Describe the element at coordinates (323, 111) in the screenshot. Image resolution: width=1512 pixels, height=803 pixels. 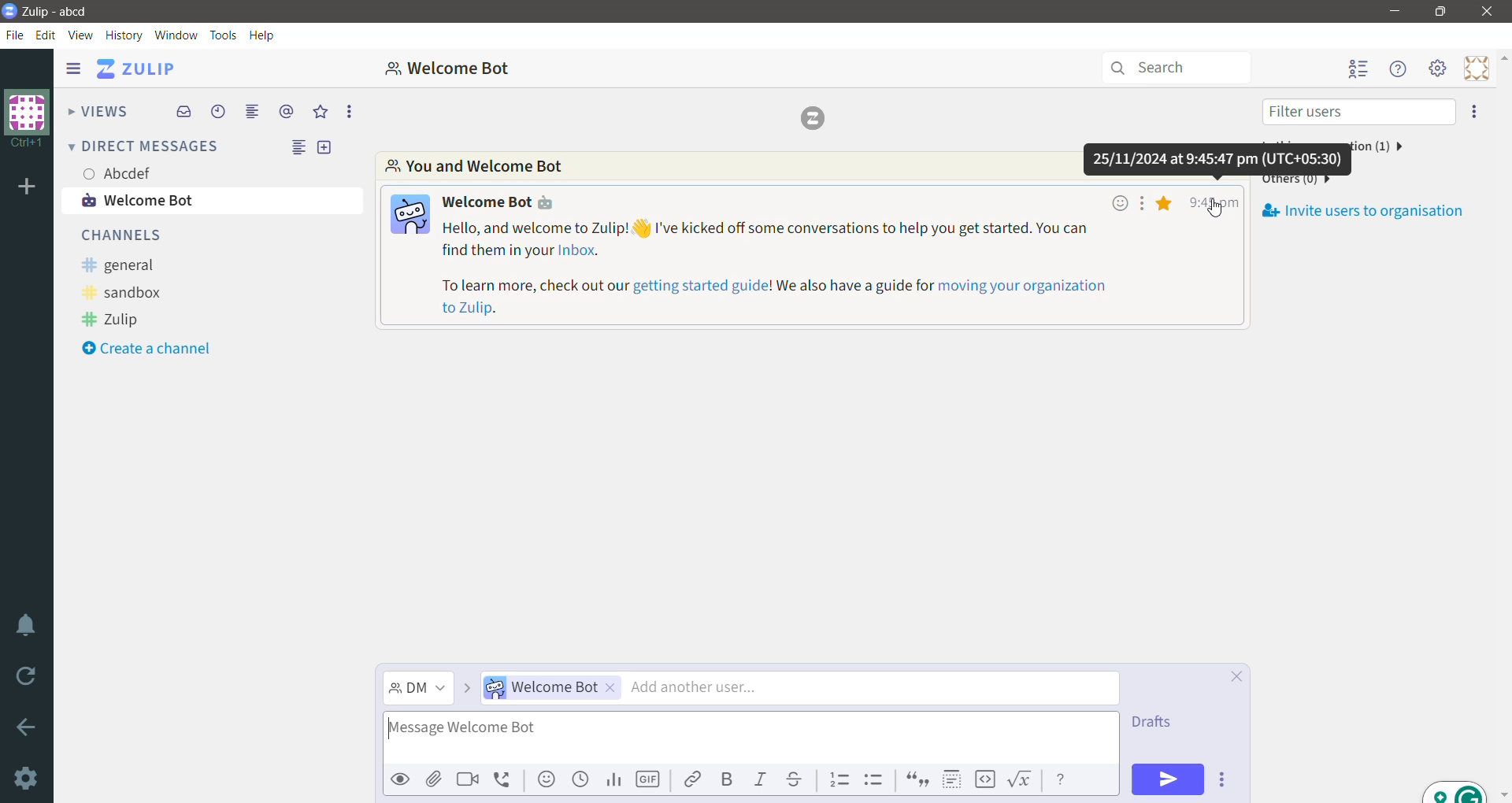
I see `Starred messages` at that location.